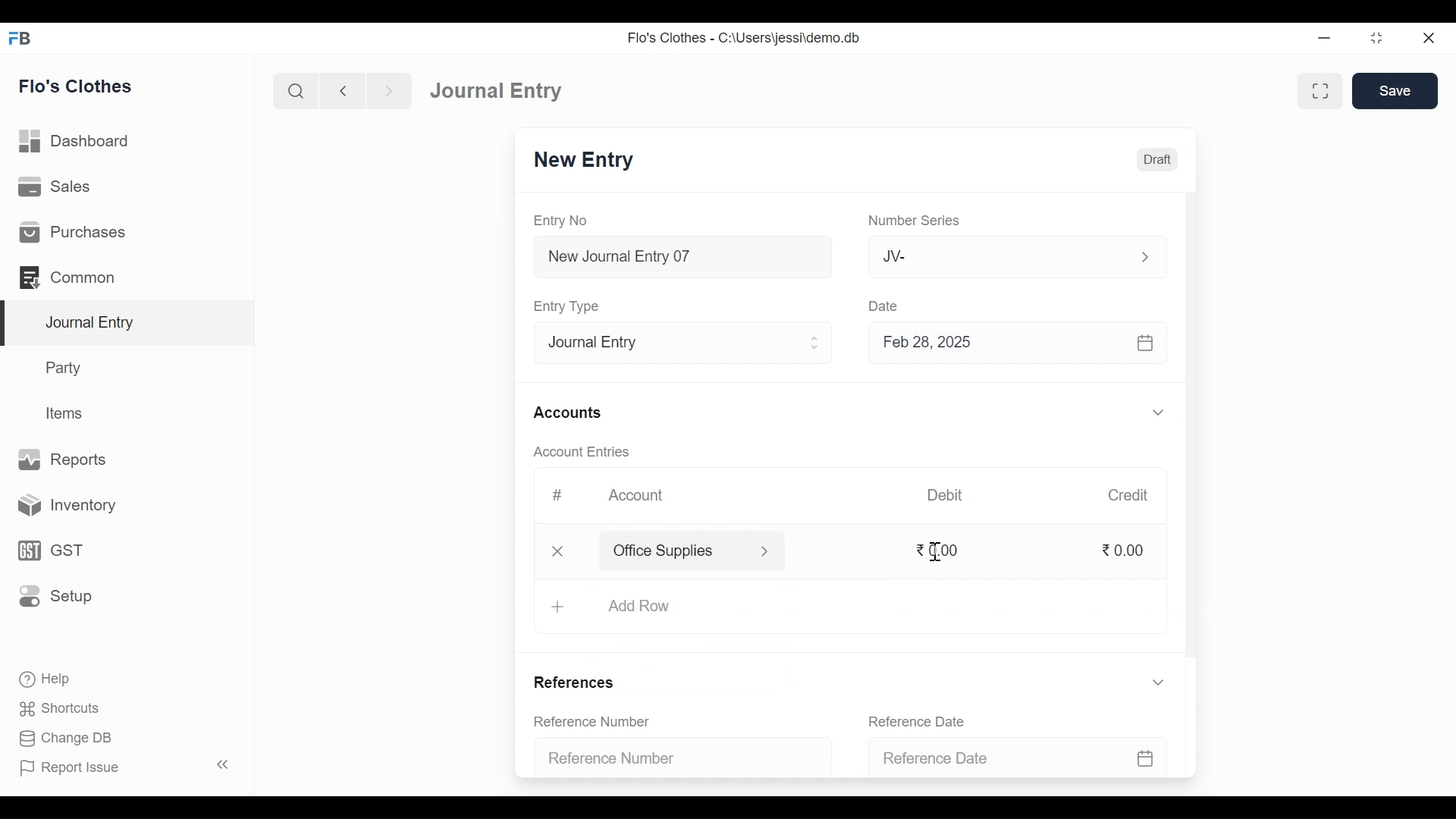  I want to click on Vertical Scroll bar, so click(1193, 428).